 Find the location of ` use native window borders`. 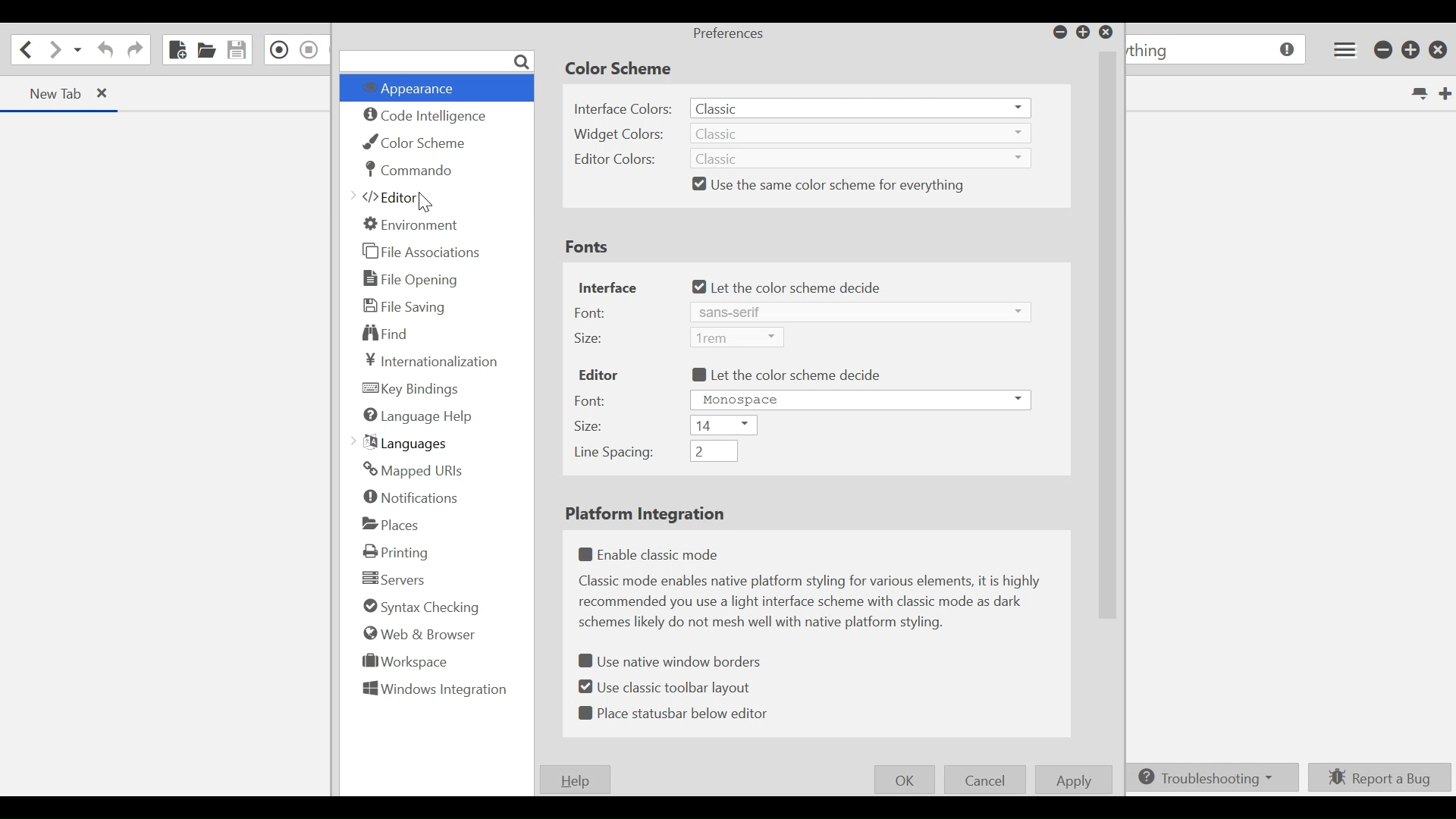

 use native window borders is located at coordinates (667, 661).